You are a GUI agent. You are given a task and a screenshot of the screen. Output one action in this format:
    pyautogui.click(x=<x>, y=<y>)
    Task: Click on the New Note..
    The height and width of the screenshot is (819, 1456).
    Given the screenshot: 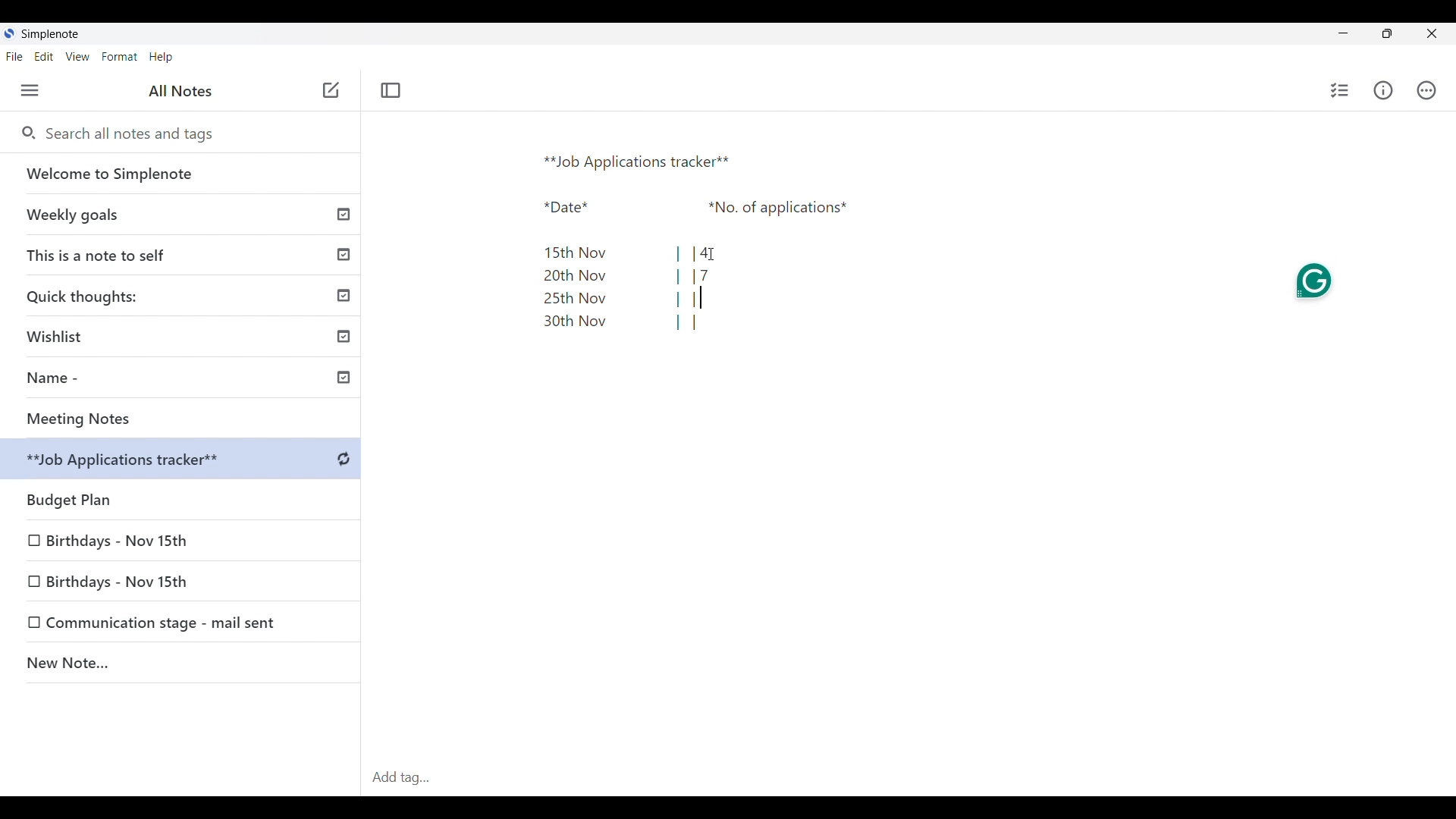 What is the action you would take?
    pyautogui.click(x=181, y=665)
    